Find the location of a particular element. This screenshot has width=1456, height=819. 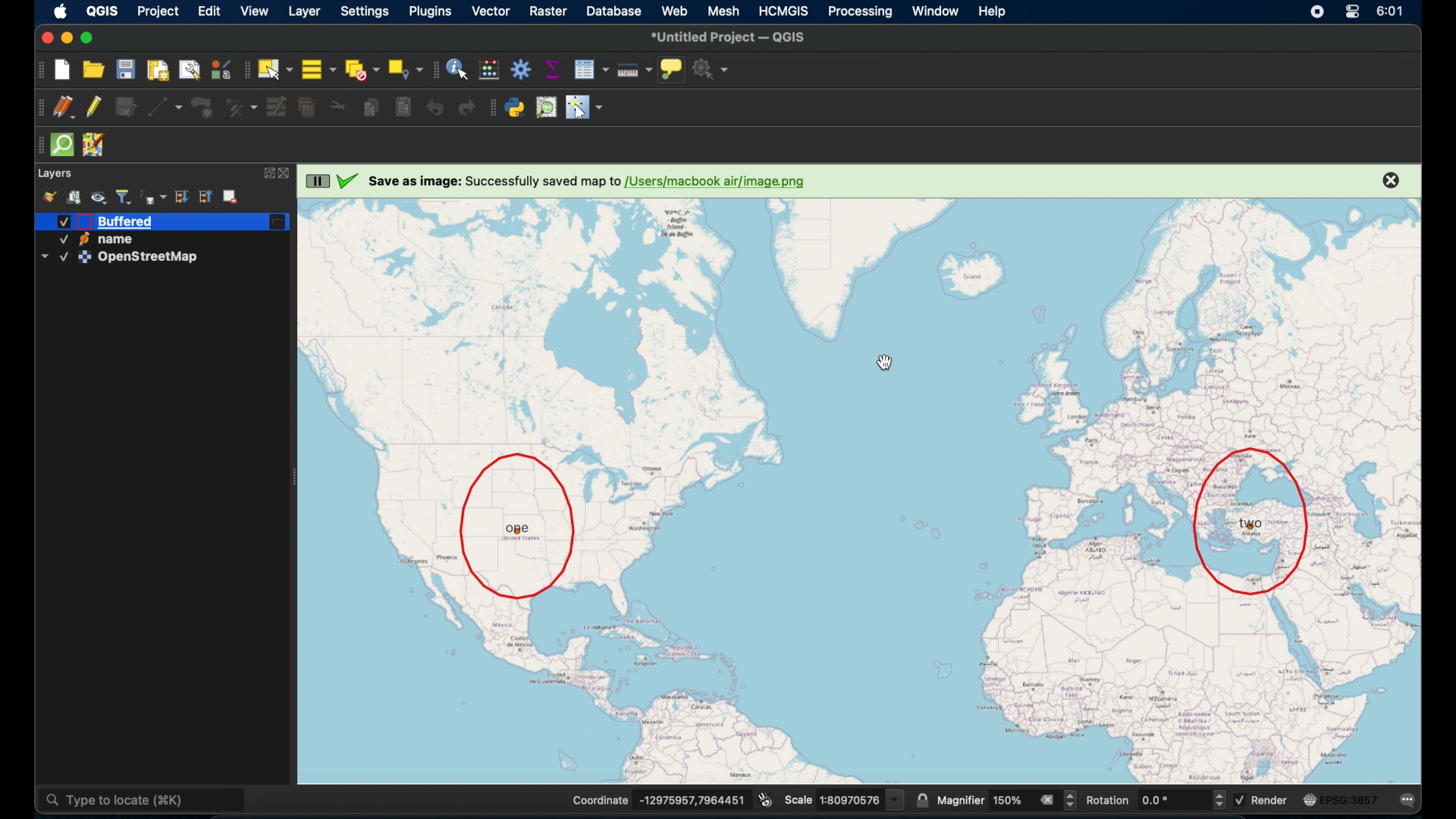

hand cursor is located at coordinates (886, 365).